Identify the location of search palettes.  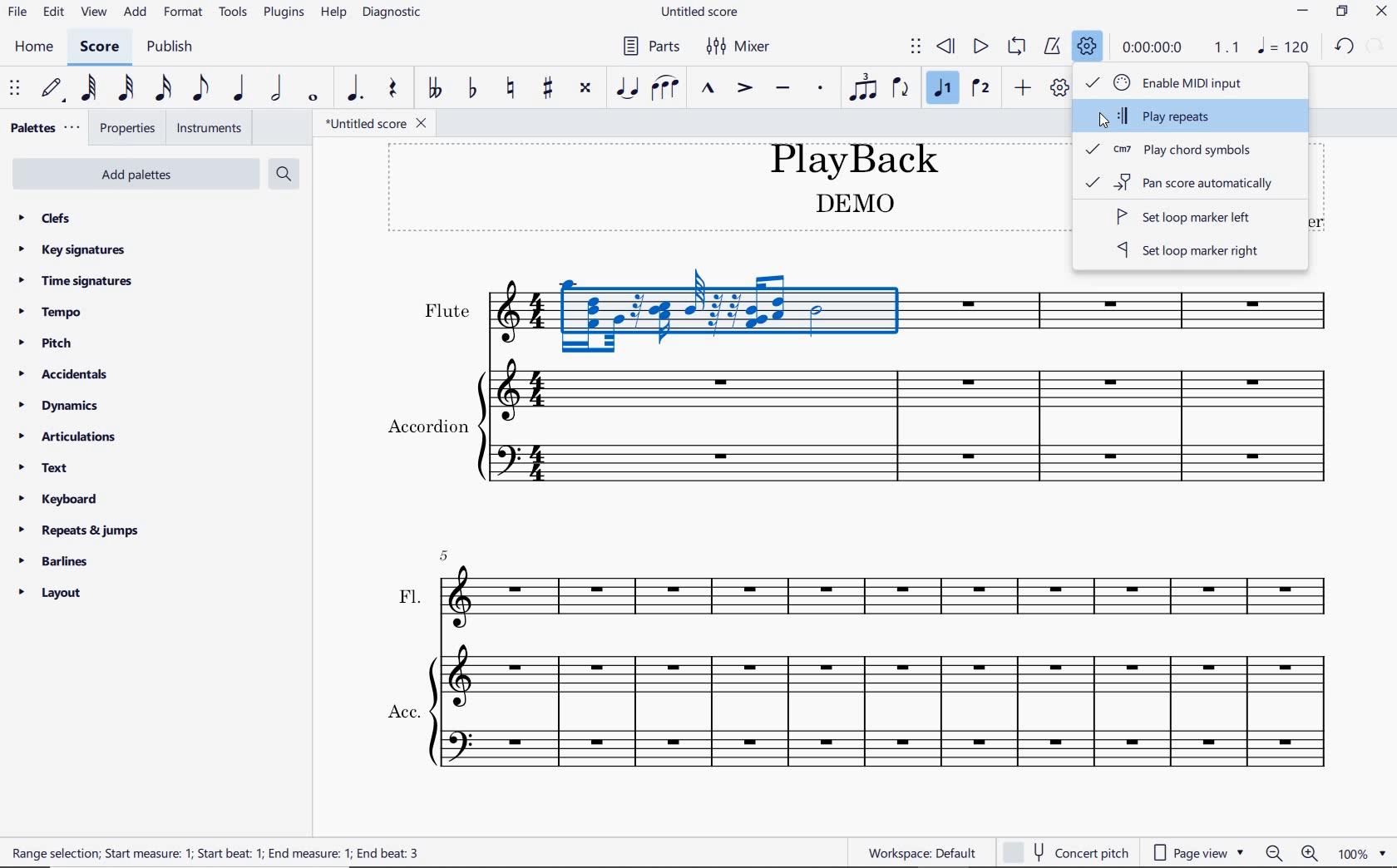
(284, 175).